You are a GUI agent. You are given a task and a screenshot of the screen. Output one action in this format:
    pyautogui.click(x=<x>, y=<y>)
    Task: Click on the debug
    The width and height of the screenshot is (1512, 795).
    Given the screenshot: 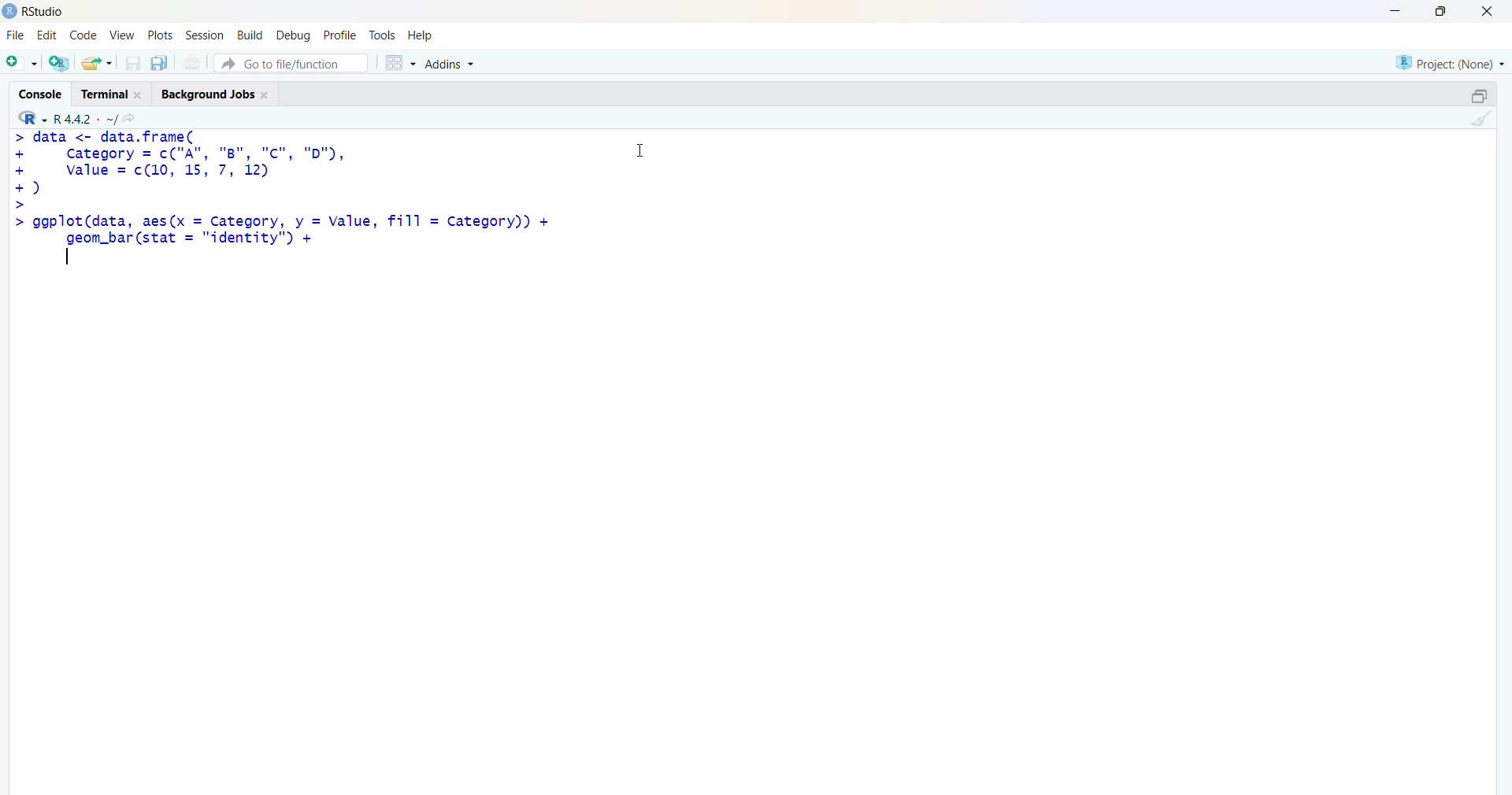 What is the action you would take?
    pyautogui.click(x=294, y=35)
    